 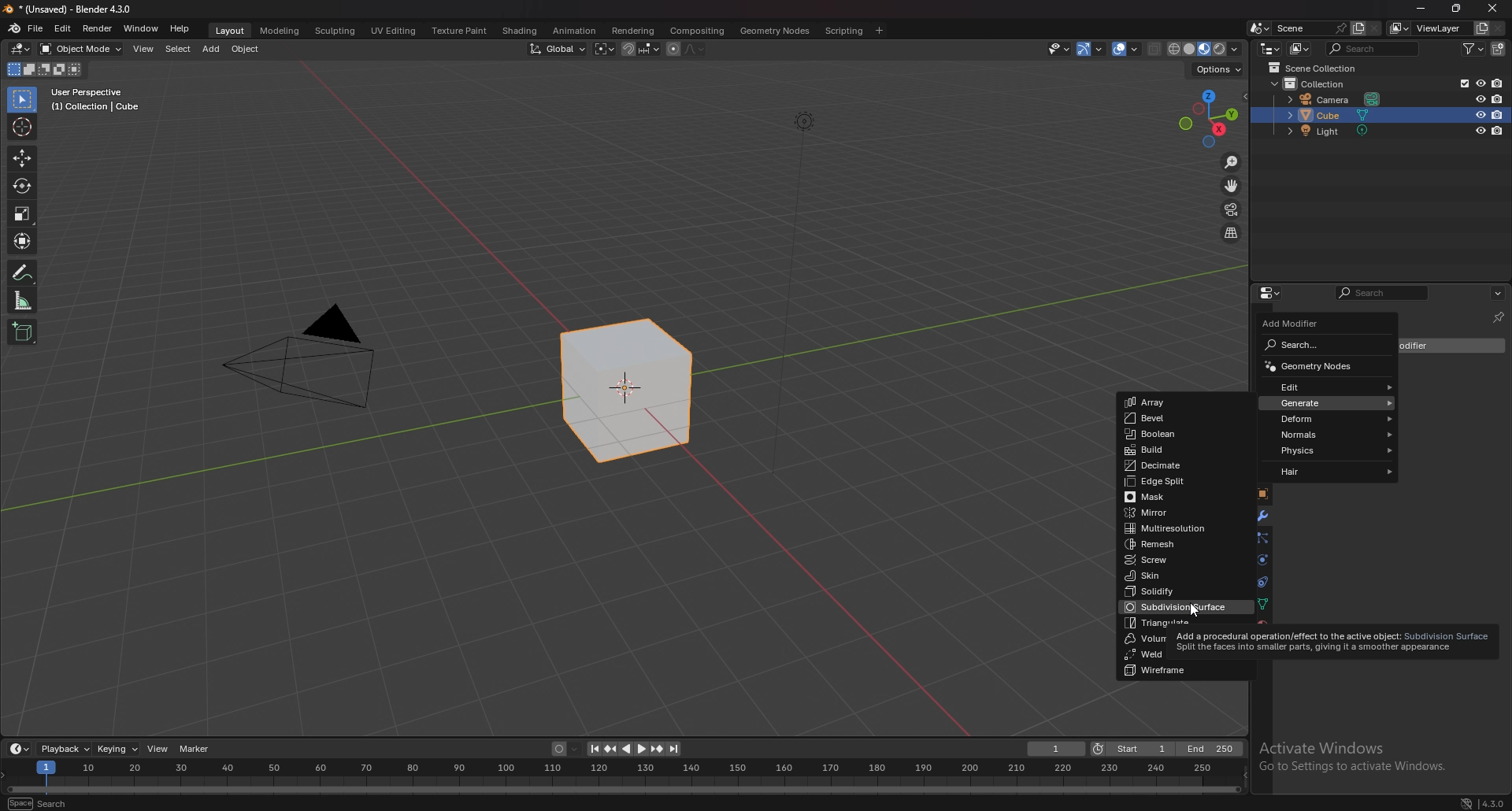 What do you see at coordinates (336, 31) in the screenshot?
I see `sculpting` at bounding box center [336, 31].